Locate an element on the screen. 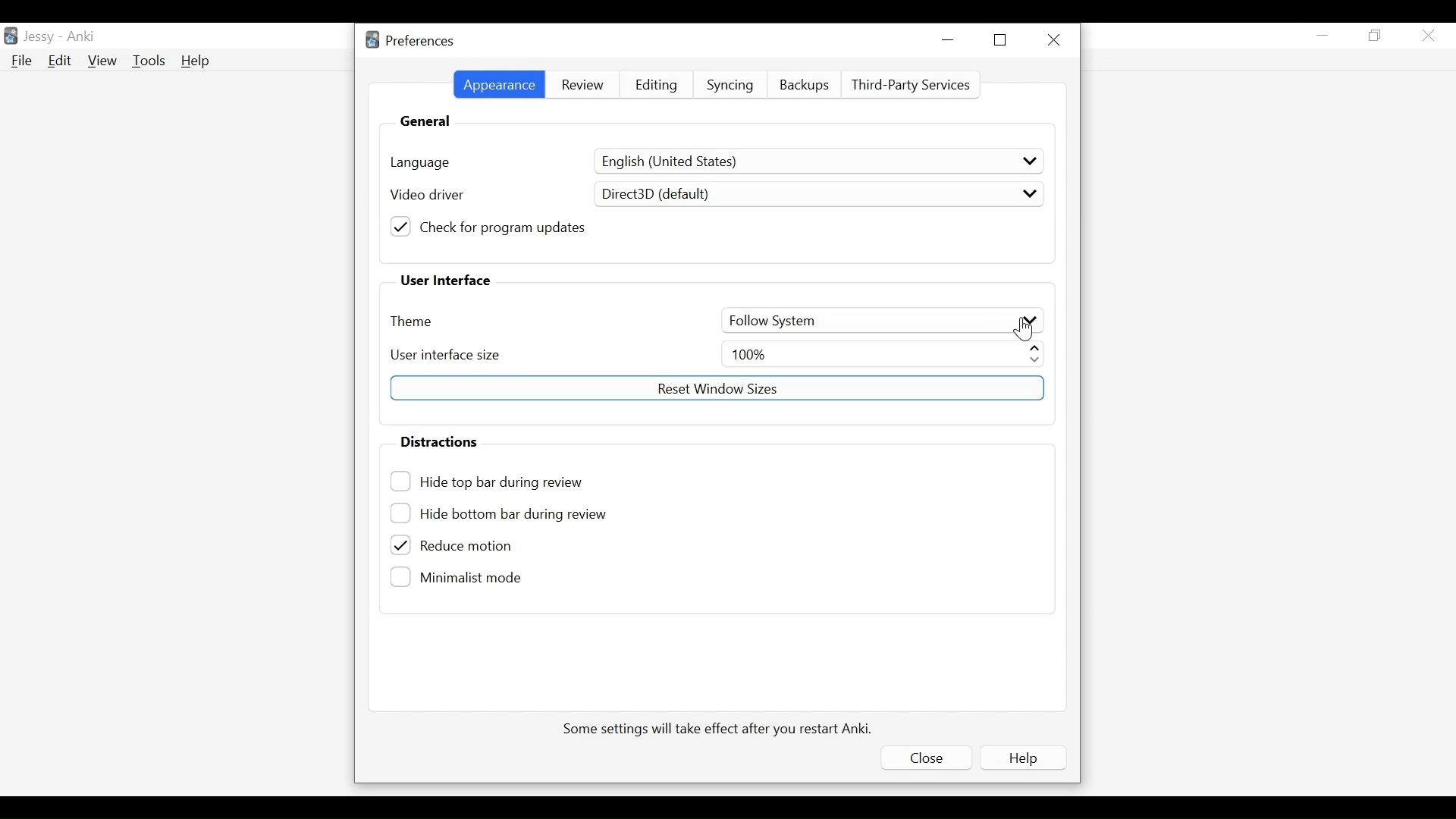 Image resolution: width=1456 pixels, height=819 pixels. (un)select Hide top bar during review is located at coordinates (497, 482).